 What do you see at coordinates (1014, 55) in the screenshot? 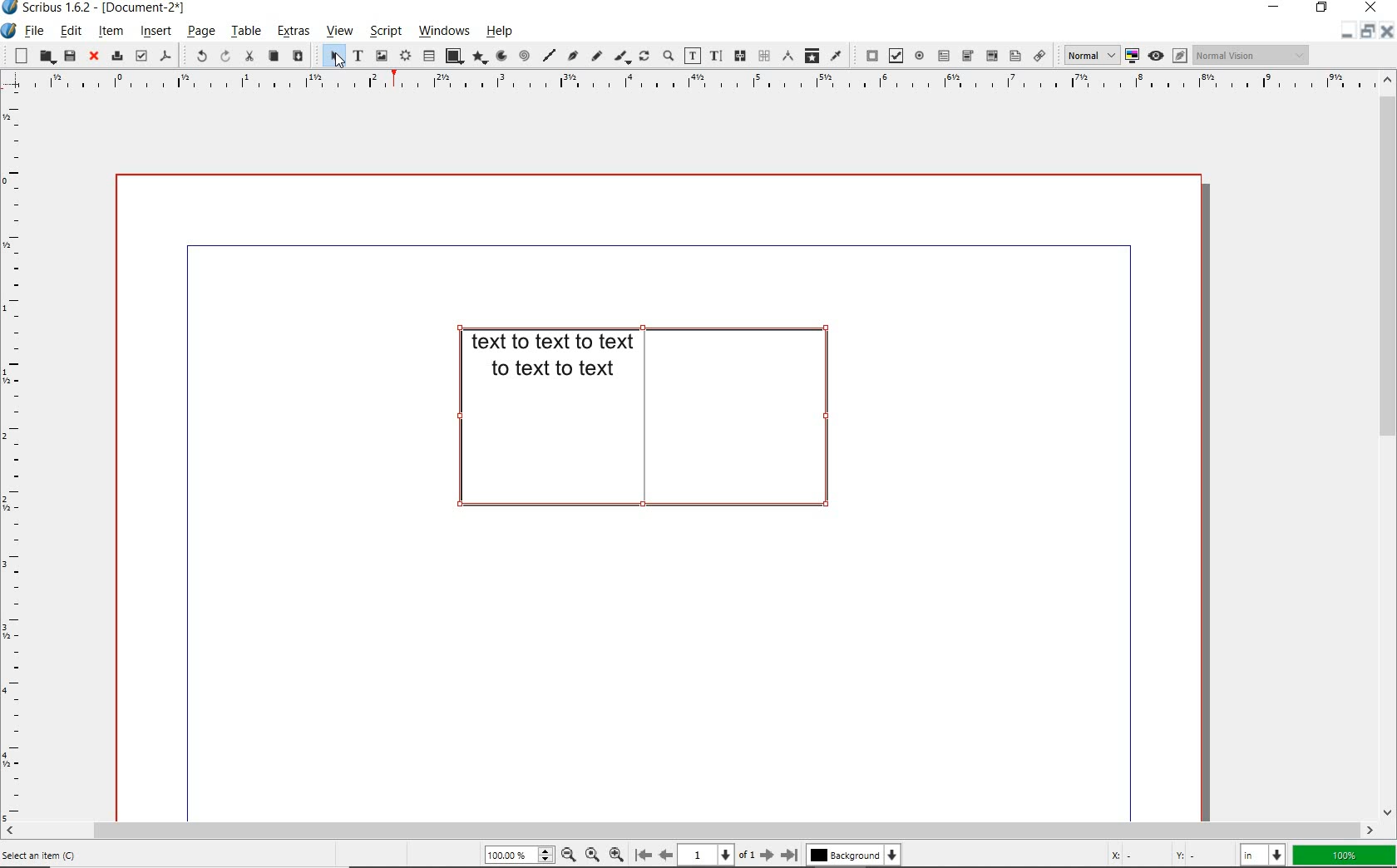
I see `pdf list box` at bounding box center [1014, 55].